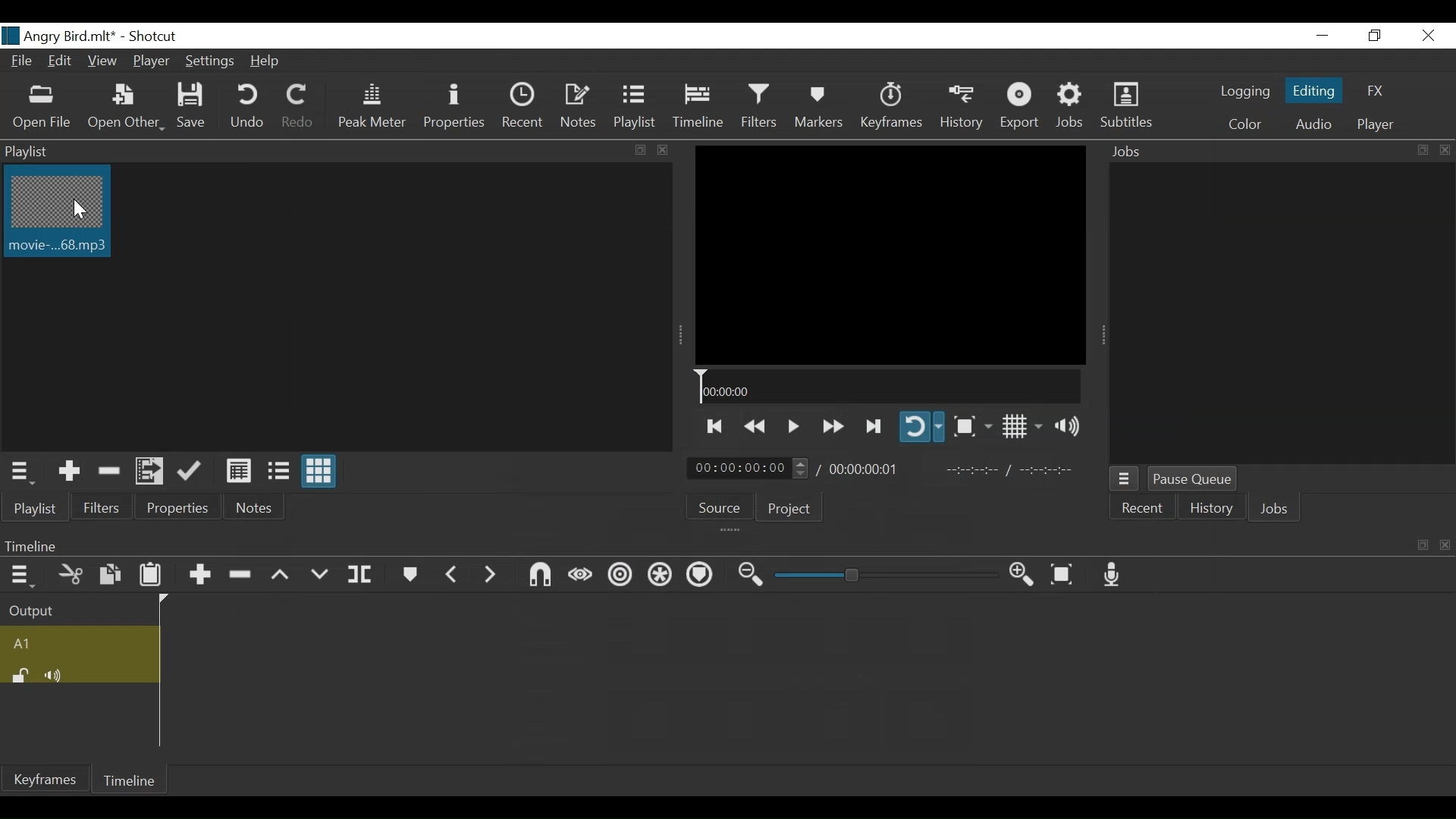 The height and width of the screenshot is (819, 1456). Describe the element at coordinates (639, 150) in the screenshot. I see `resize` at that location.